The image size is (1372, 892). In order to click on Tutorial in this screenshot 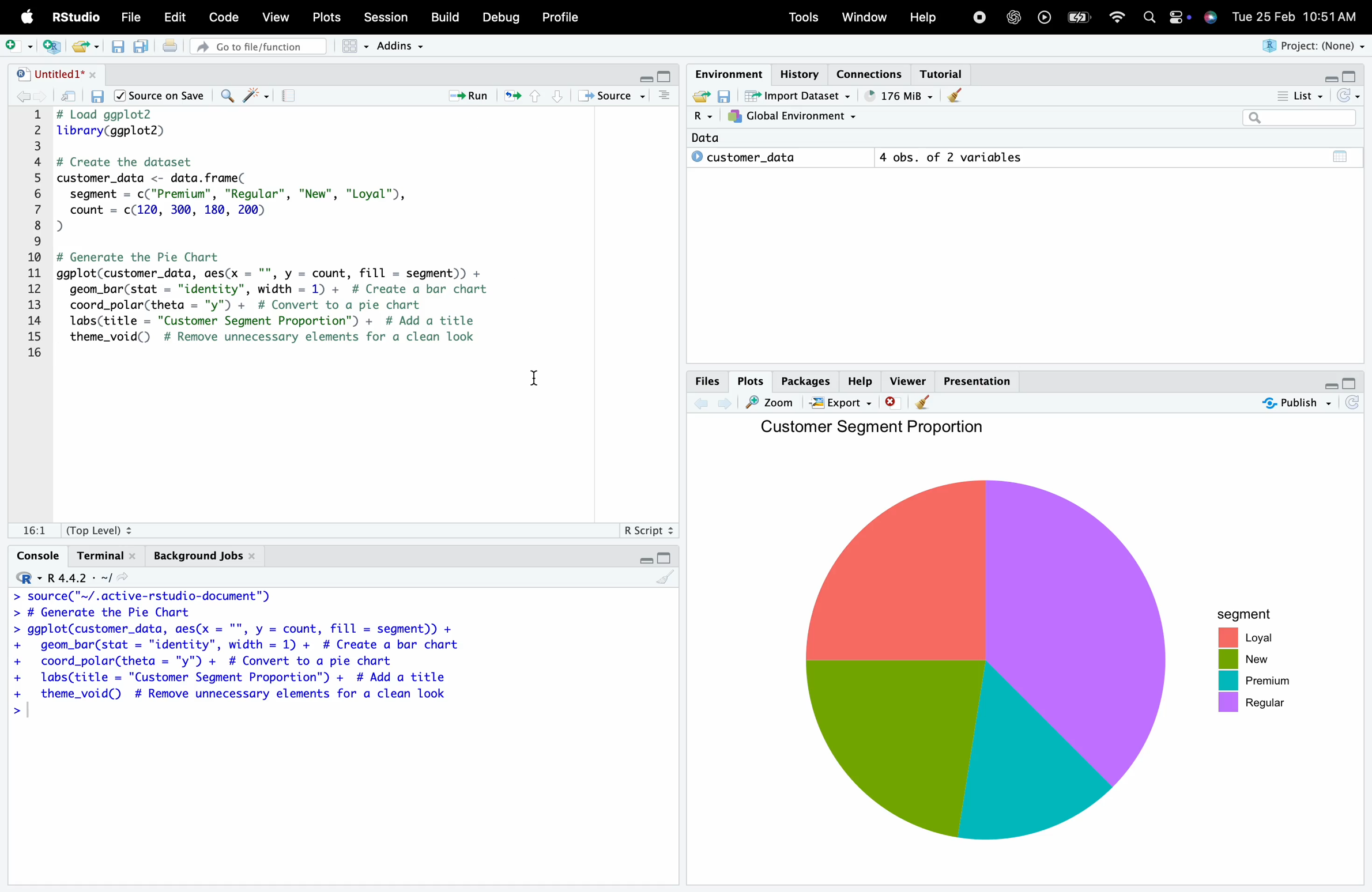, I will do `click(945, 73)`.